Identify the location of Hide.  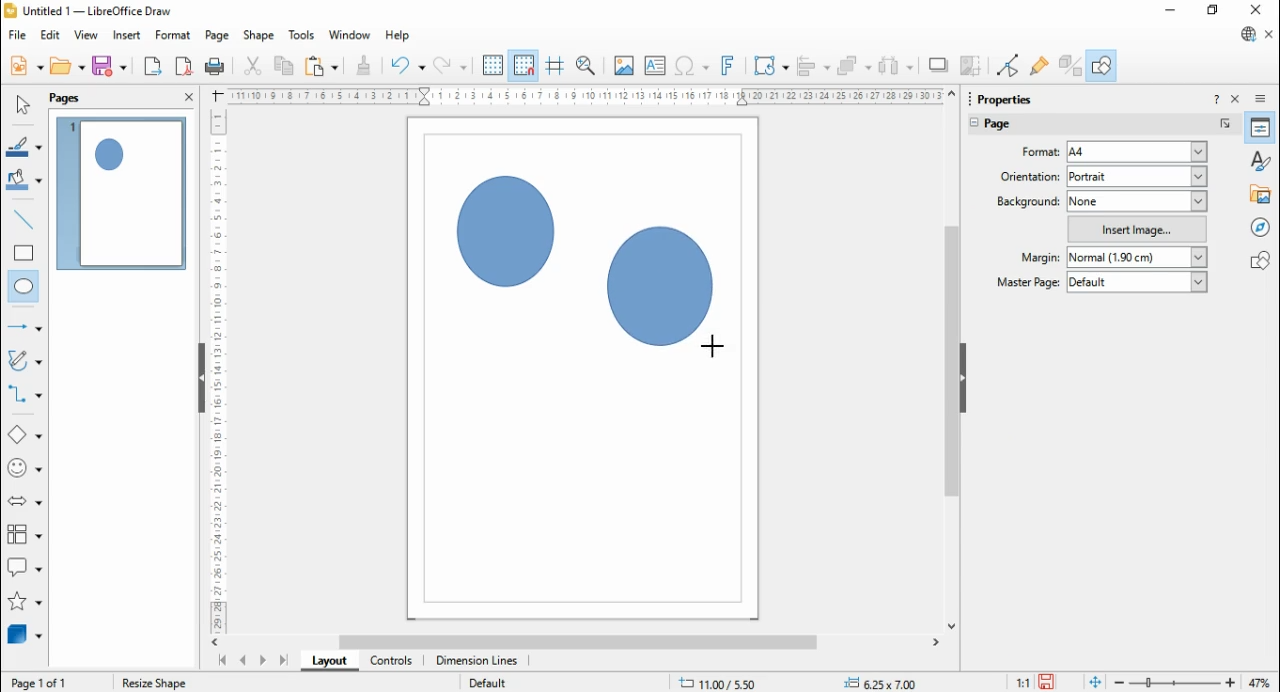
(201, 380).